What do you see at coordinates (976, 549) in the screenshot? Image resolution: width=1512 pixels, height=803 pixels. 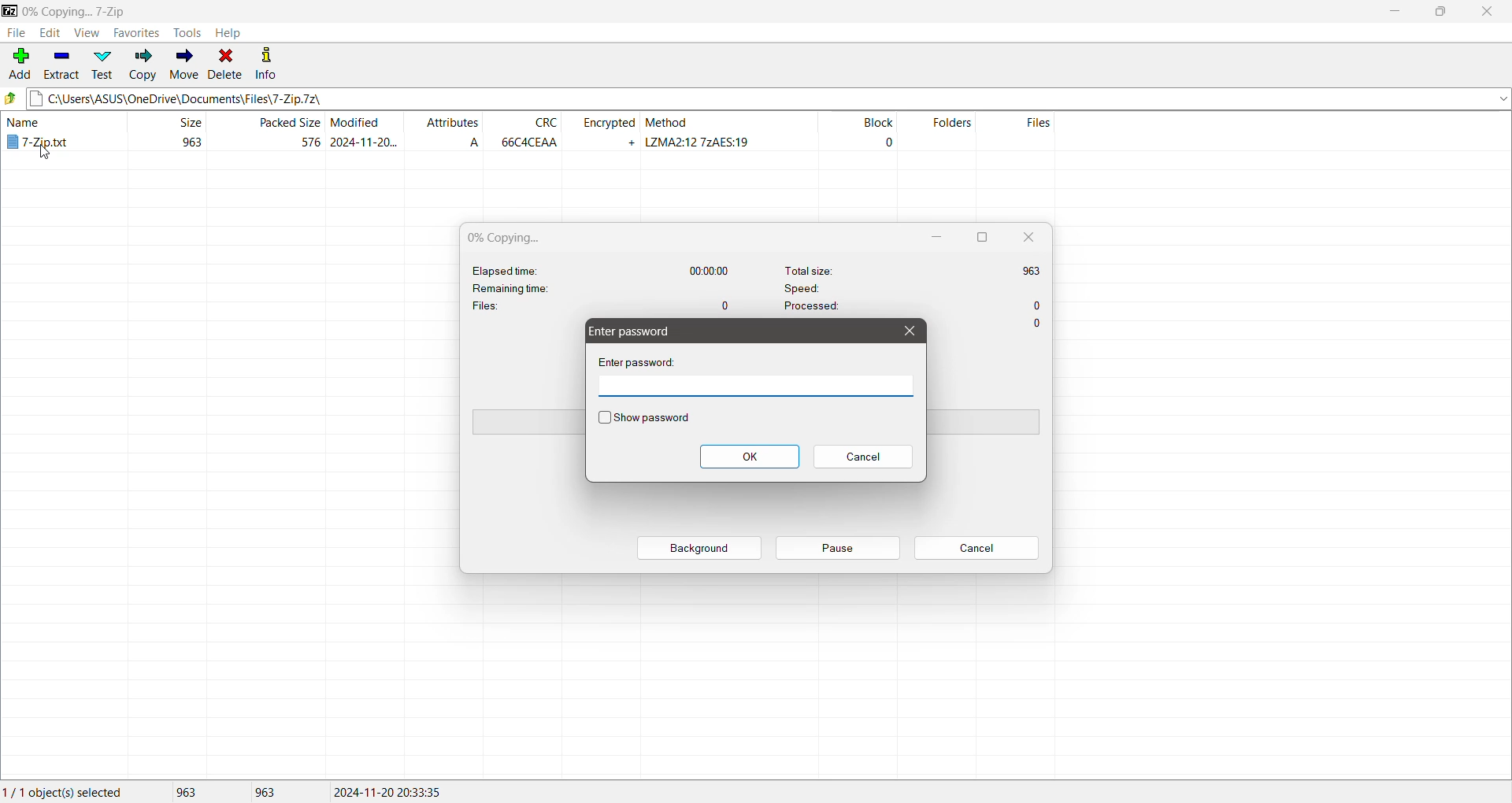 I see `Cancel` at bounding box center [976, 549].